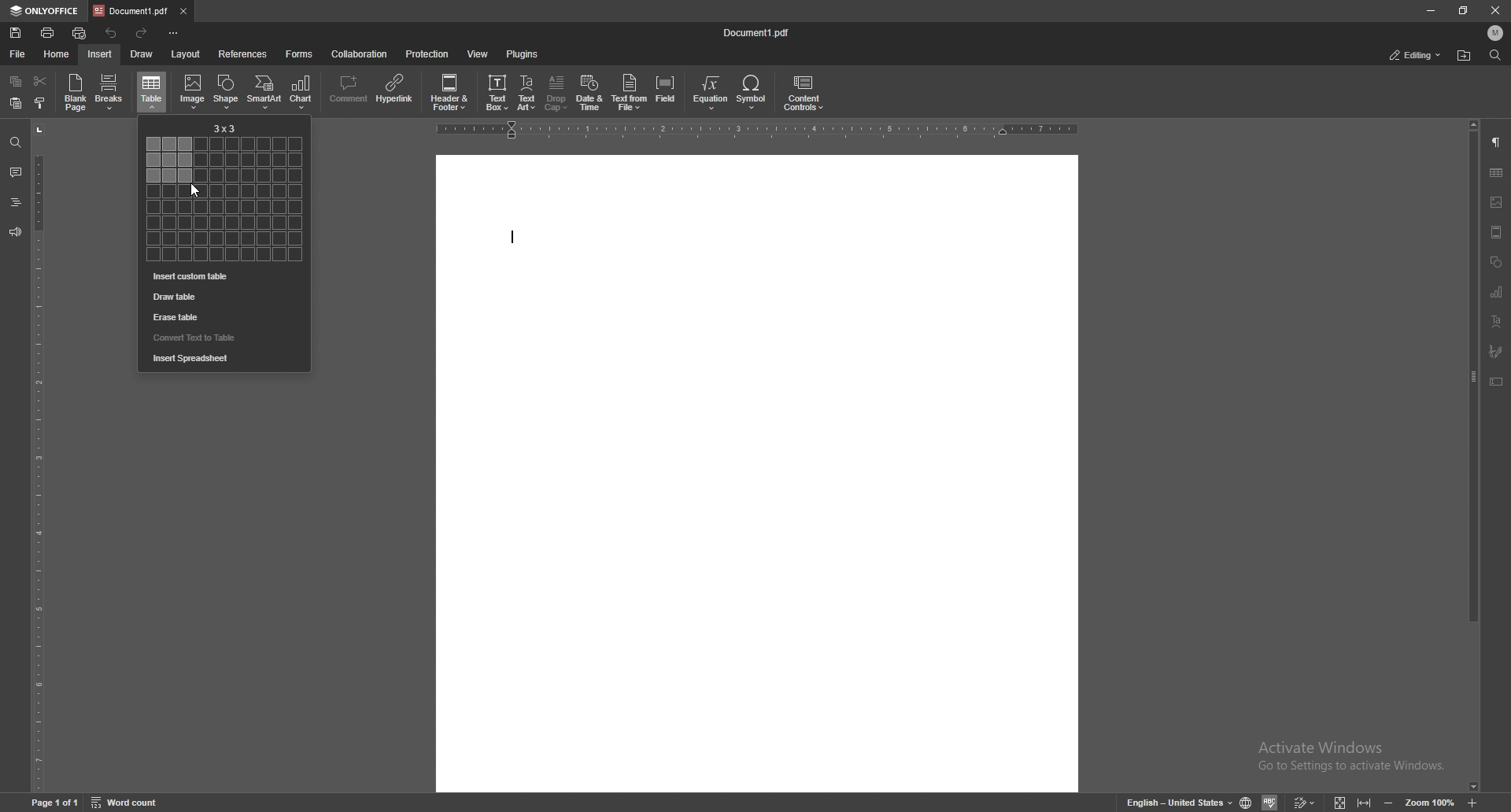 The image size is (1511, 812). Describe the element at coordinates (219, 337) in the screenshot. I see `convert text to table` at that location.